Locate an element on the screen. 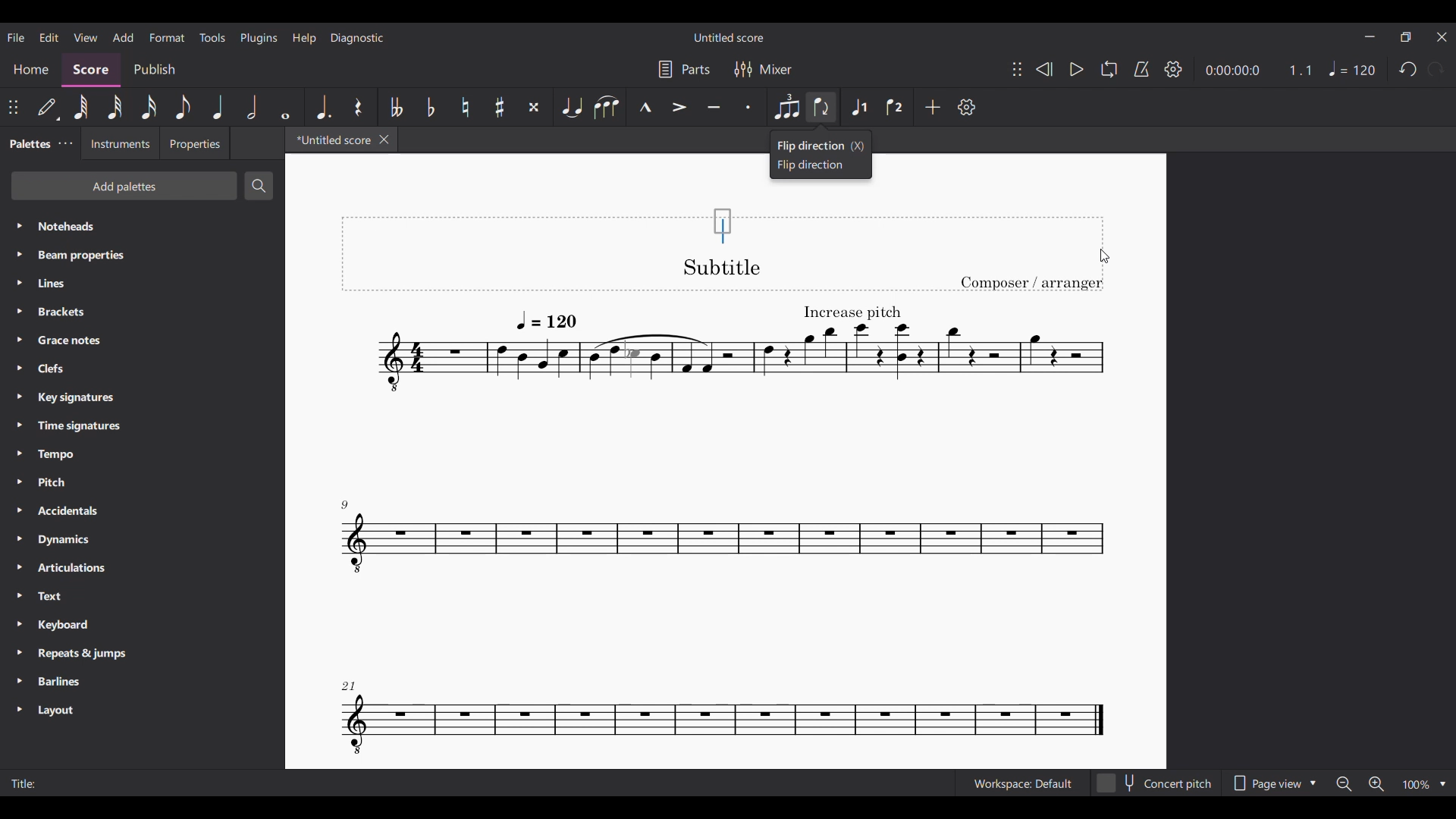 This screenshot has width=1456, height=819. Redo is located at coordinates (1436, 69).